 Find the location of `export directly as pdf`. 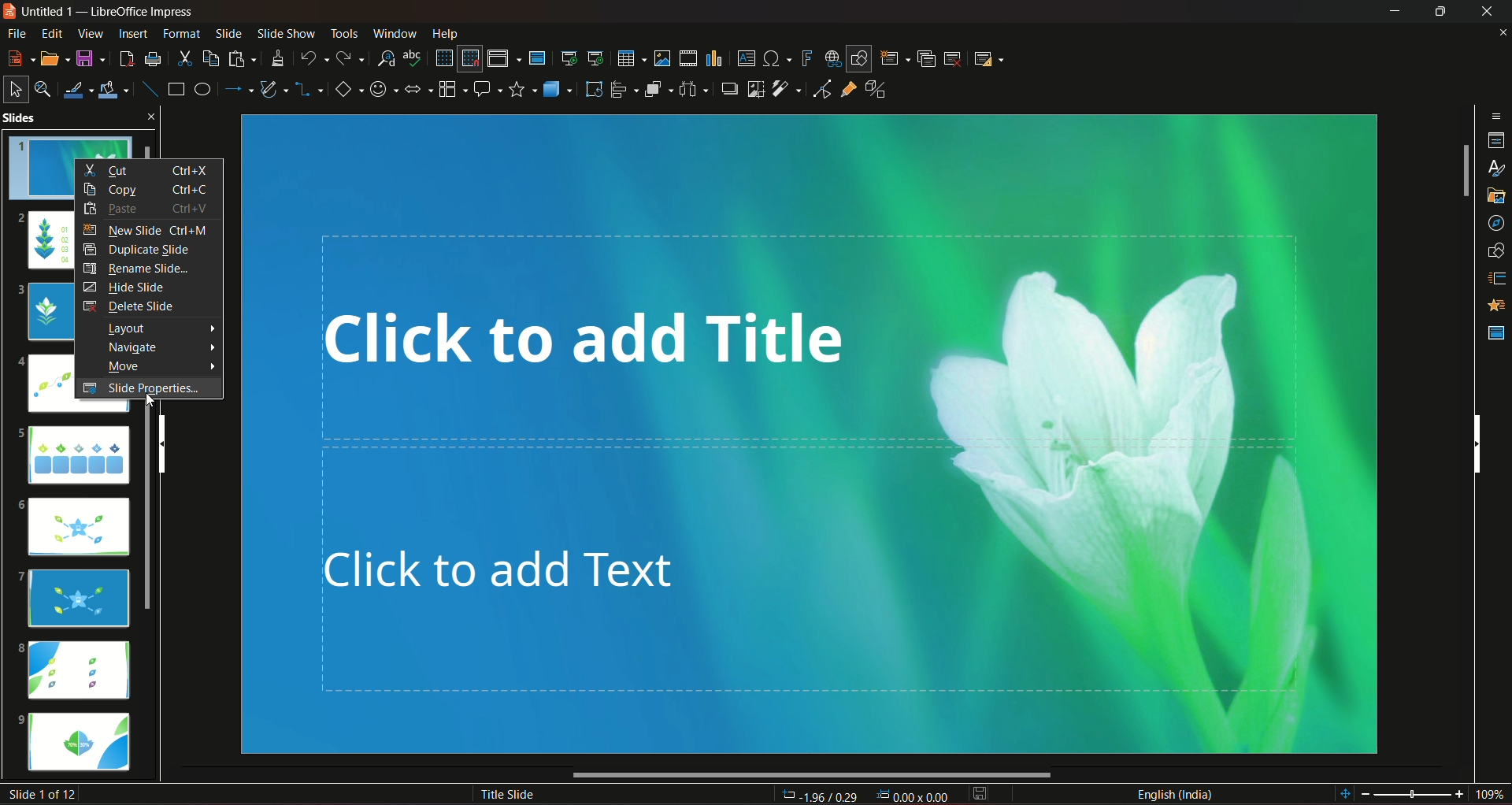

export directly as pdf is located at coordinates (126, 57).